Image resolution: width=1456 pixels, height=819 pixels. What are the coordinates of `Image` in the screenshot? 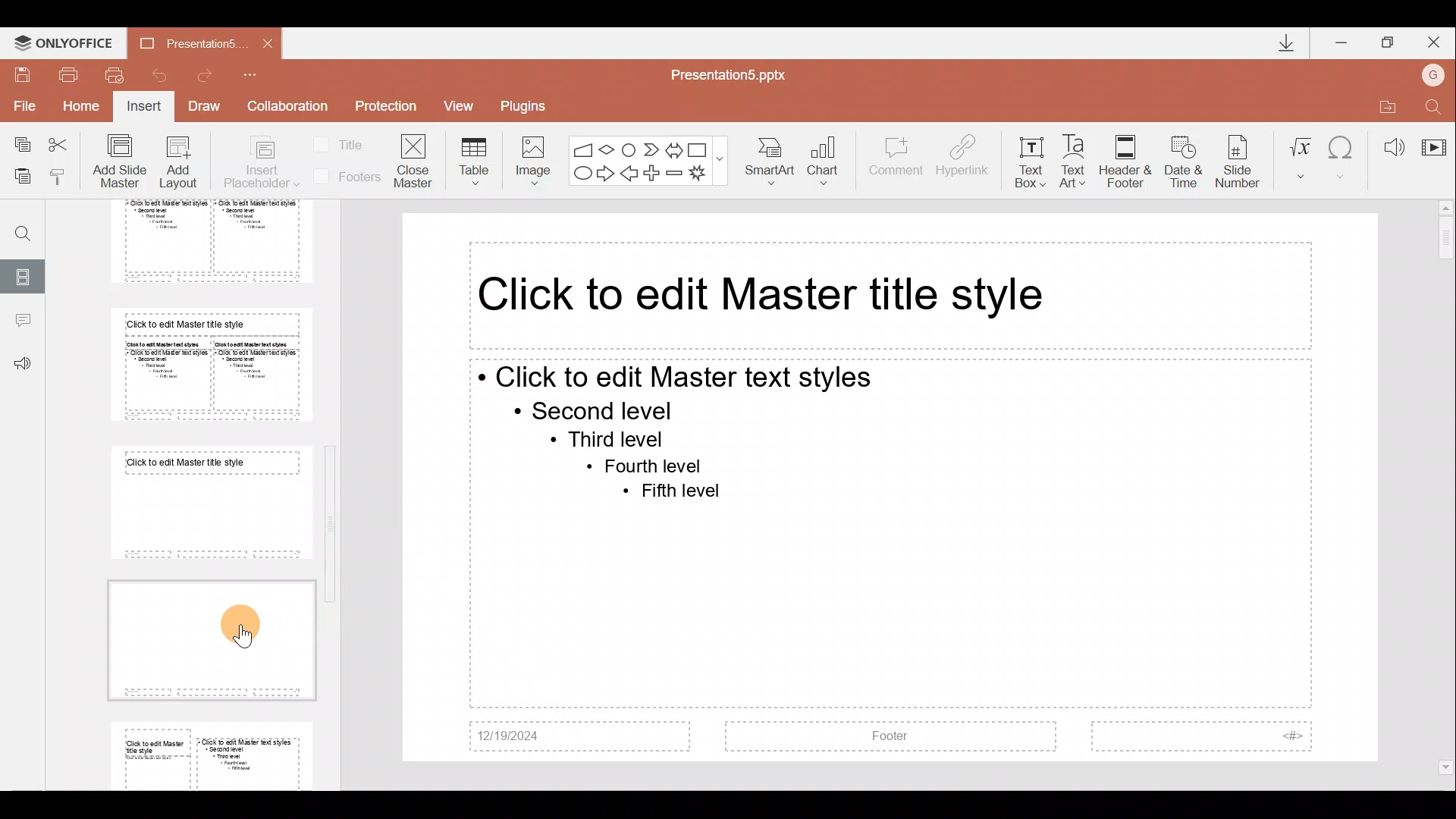 It's located at (529, 158).